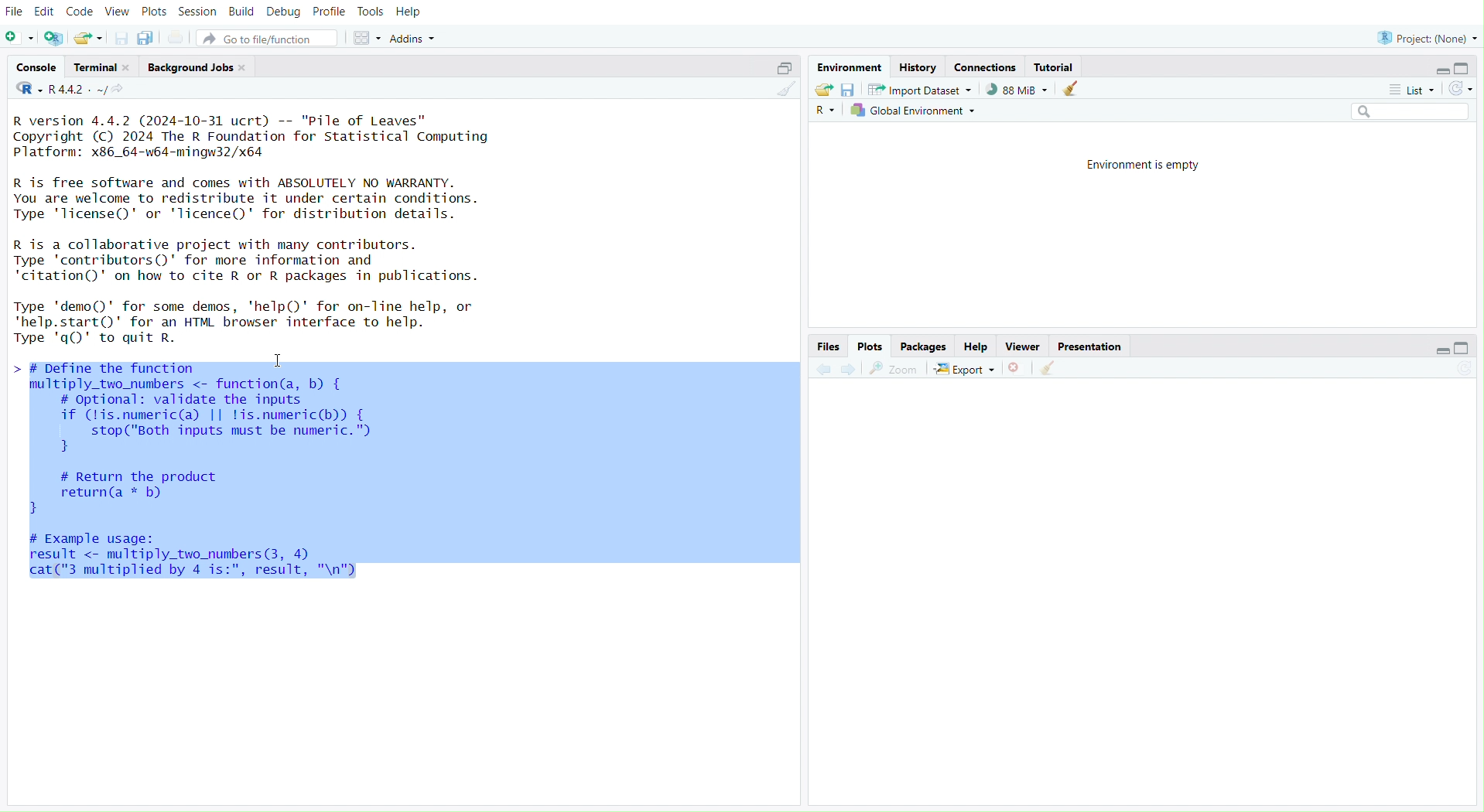 The image size is (1484, 812). I want to click on Session, so click(199, 12).